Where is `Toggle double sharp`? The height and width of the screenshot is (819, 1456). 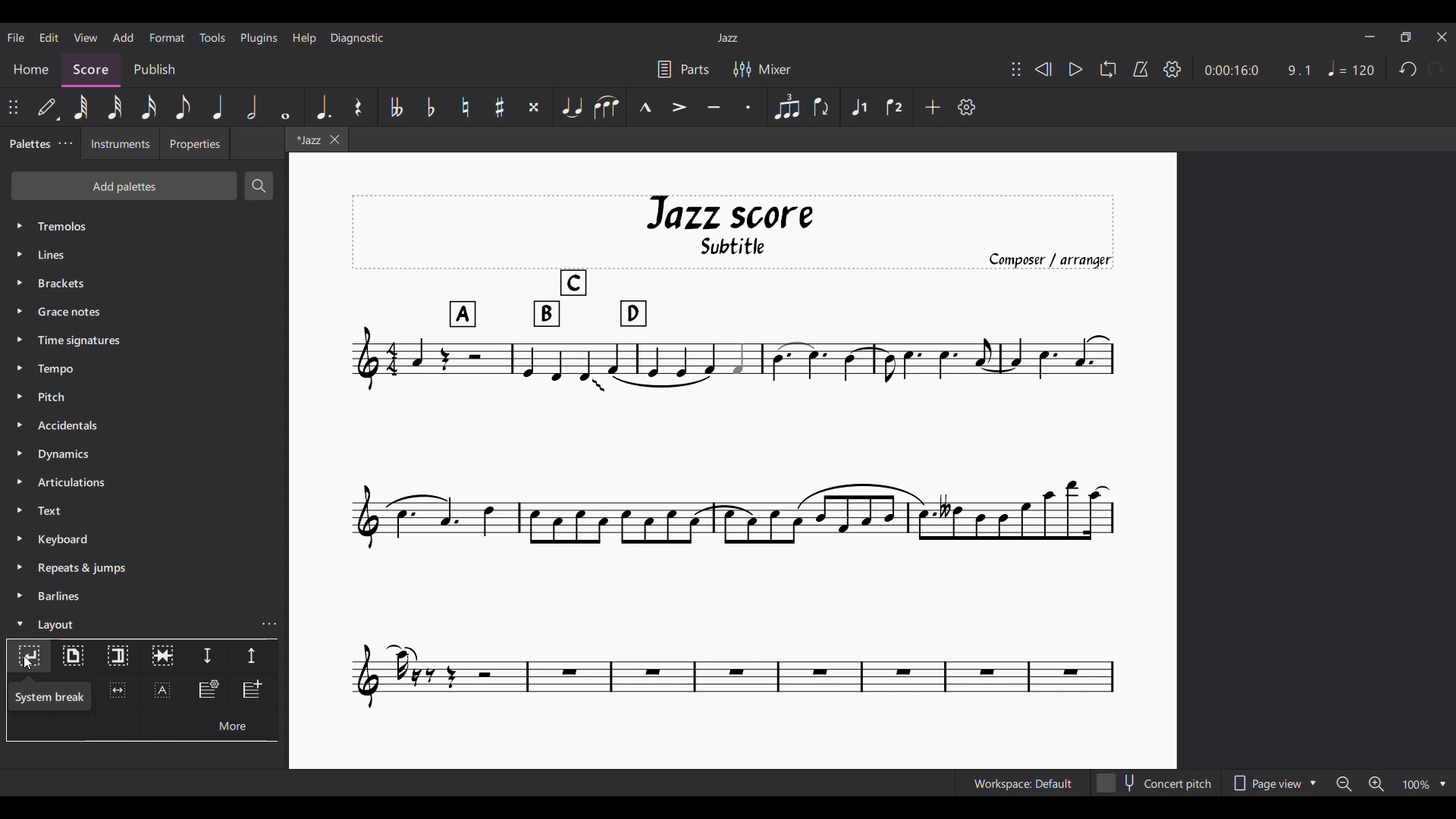 Toggle double sharp is located at coordinates (535, 107).